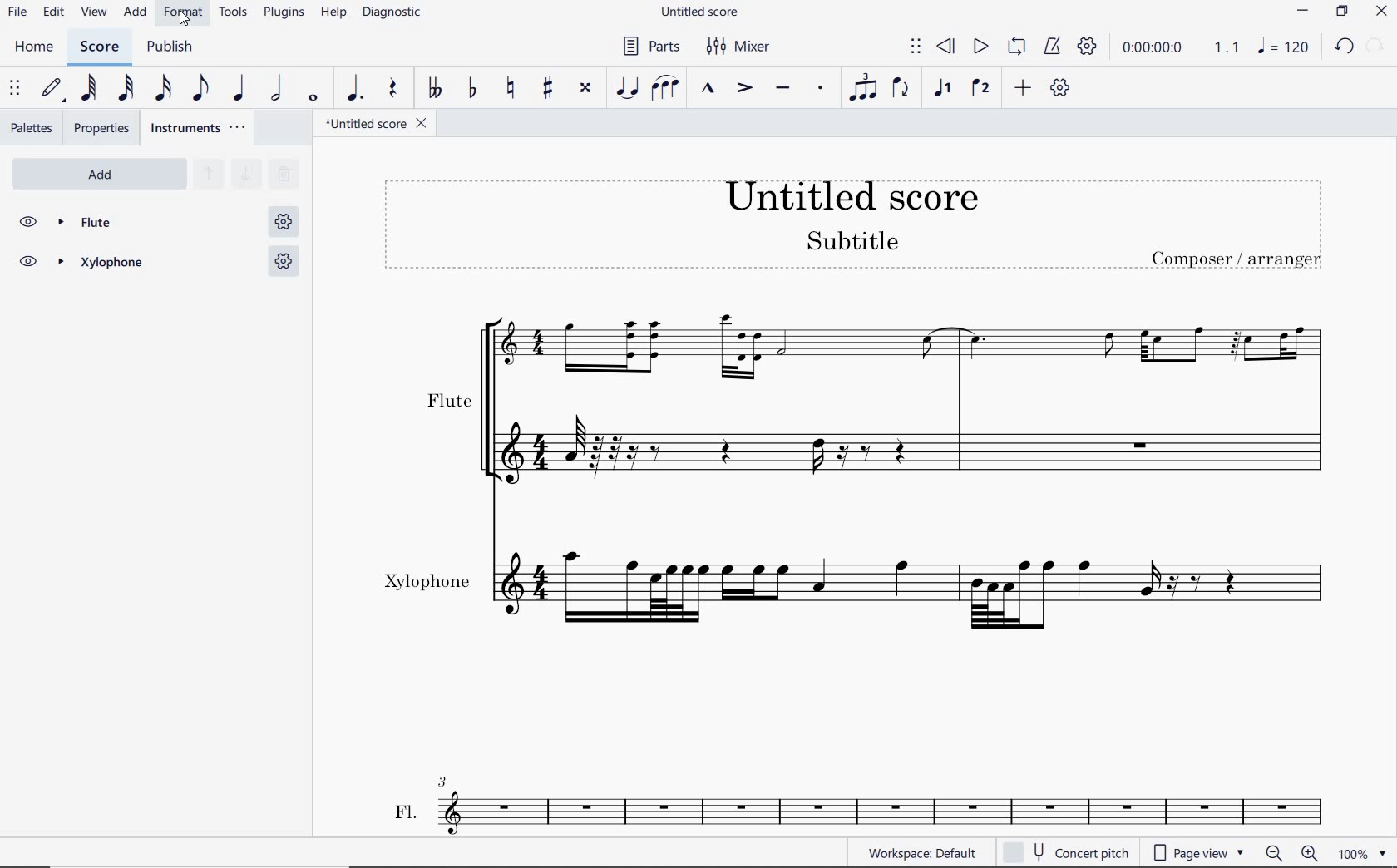 This screenshot has width=1397, height=868. Describe the element at coordinates (880, 806) in the screenshot. I see `Fl.` at that location.